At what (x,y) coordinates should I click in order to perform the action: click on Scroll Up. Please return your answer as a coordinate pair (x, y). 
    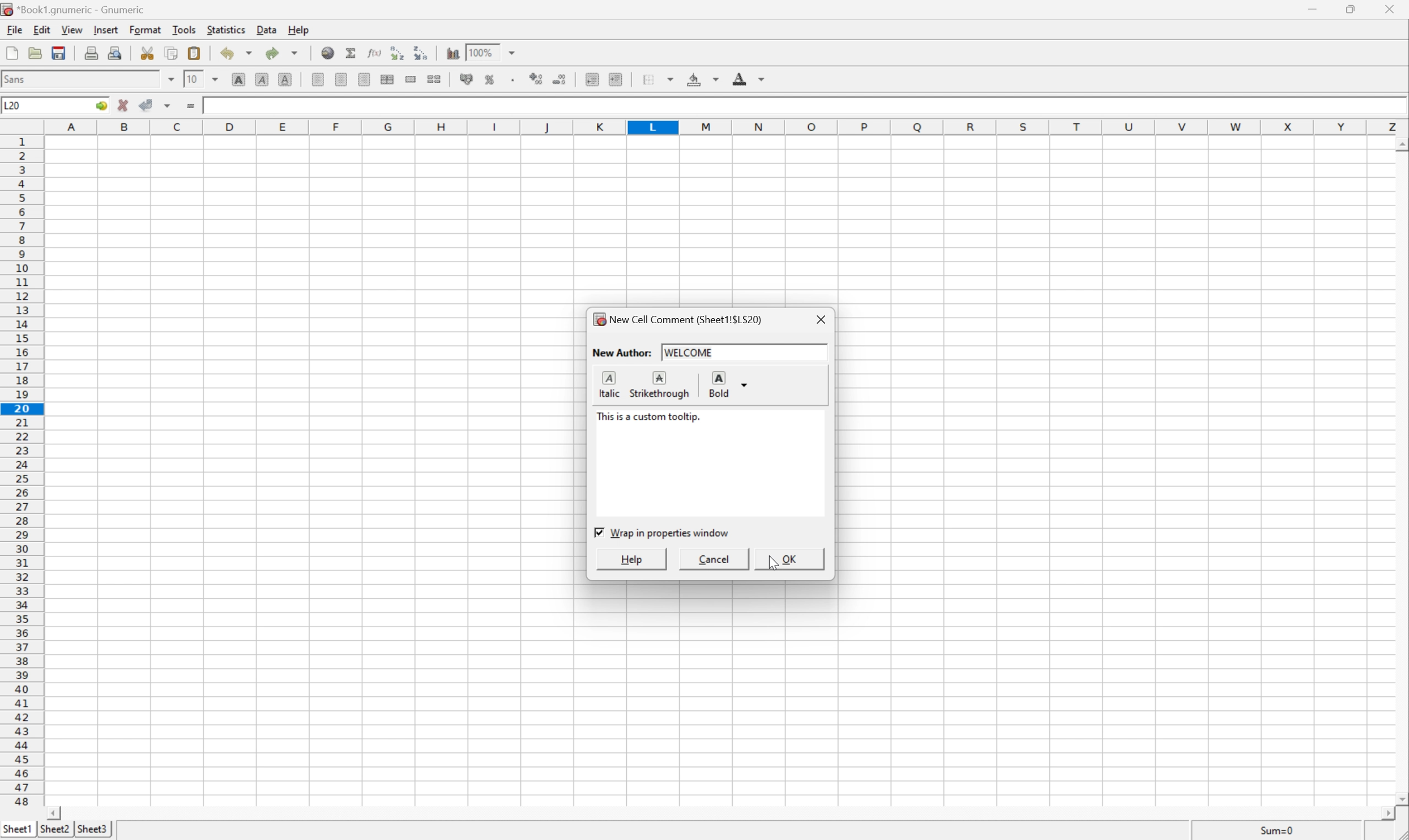
    Looking at the image, I should click on (1400, 144).